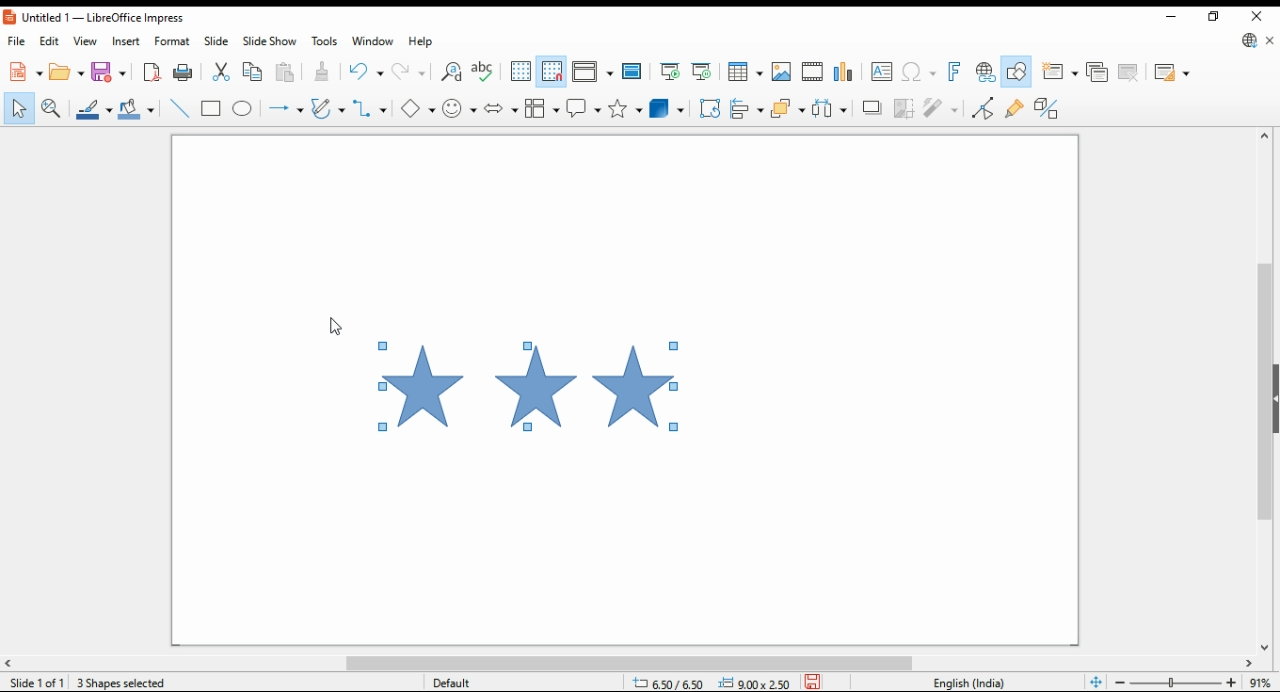  I want to click on duplicate slide, so click(1098, 72).